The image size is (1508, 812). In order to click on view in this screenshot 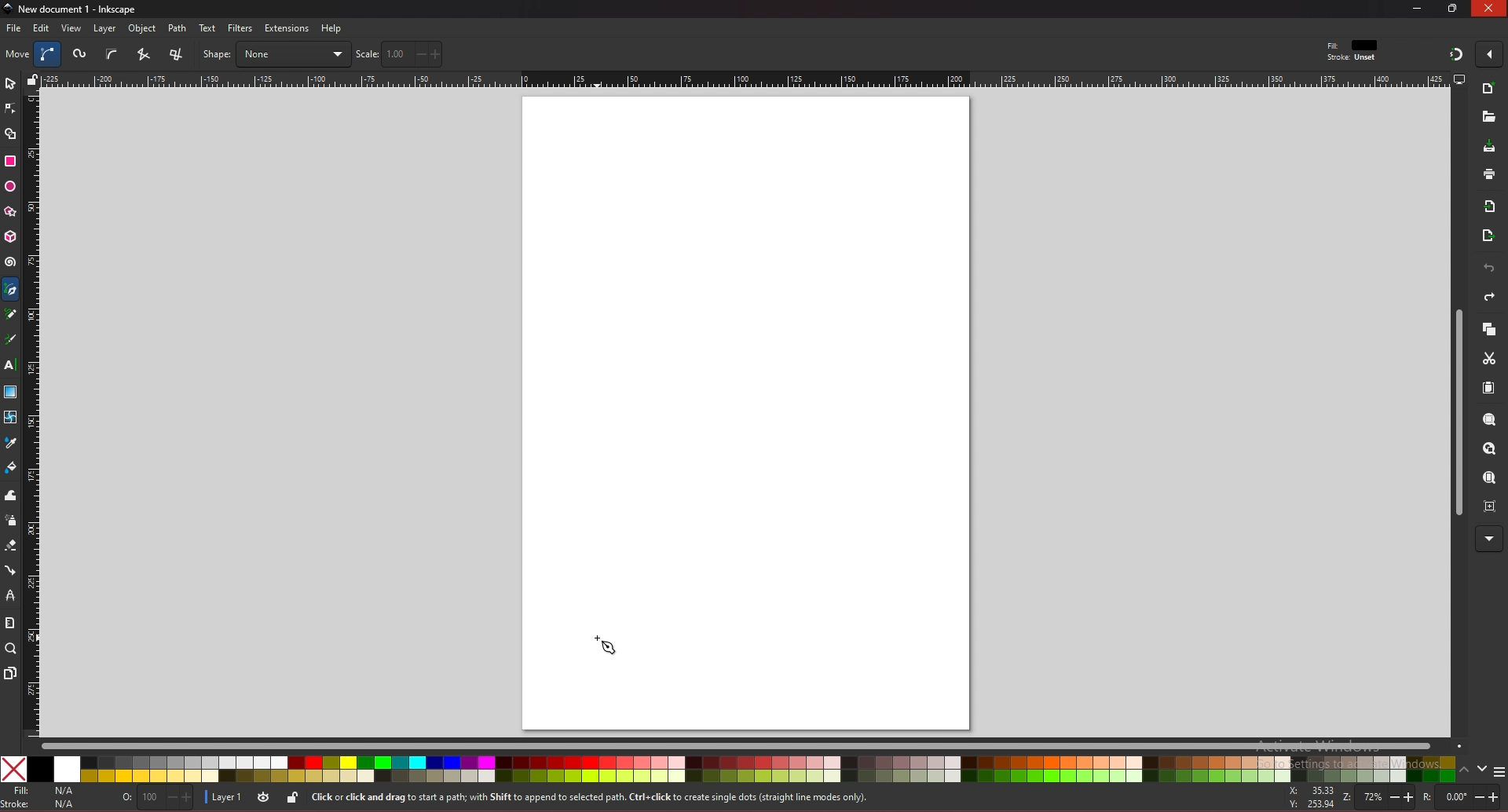, I will do `click(72, 28)`.